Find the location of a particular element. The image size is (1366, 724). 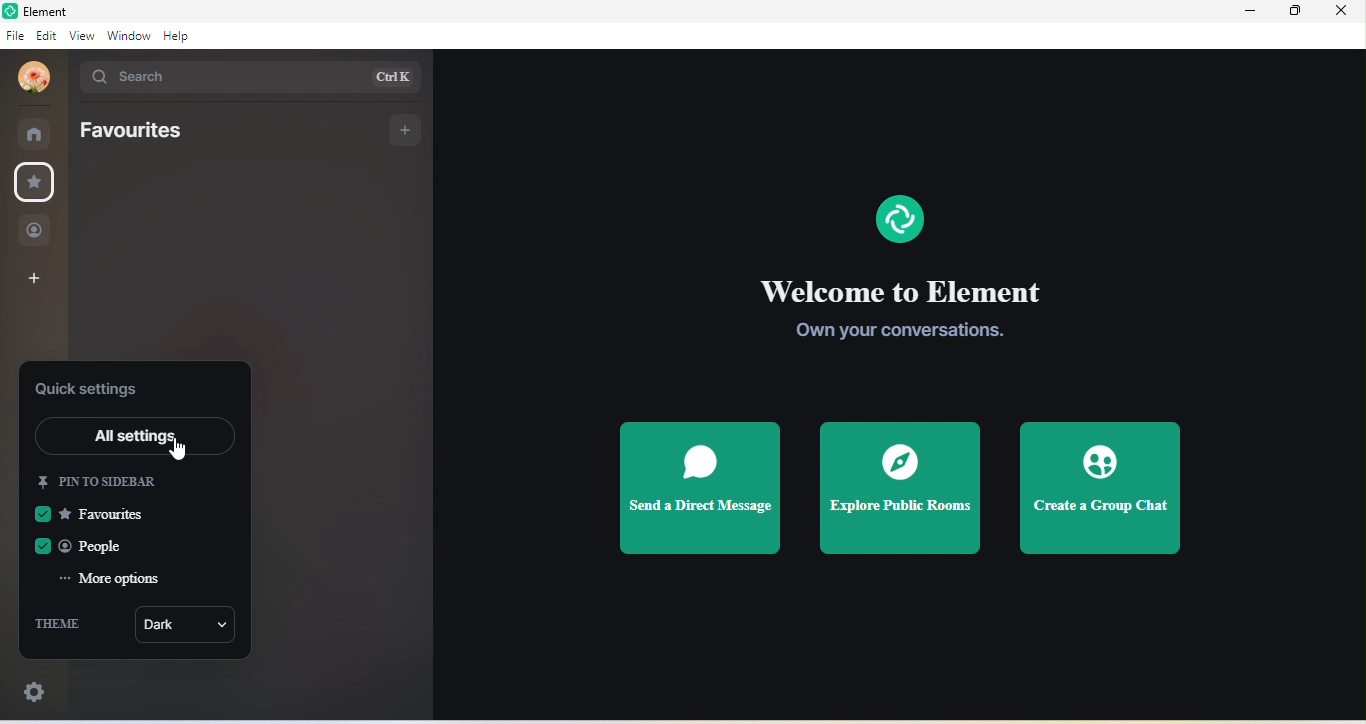

theme is located at coordinates (64, 627).